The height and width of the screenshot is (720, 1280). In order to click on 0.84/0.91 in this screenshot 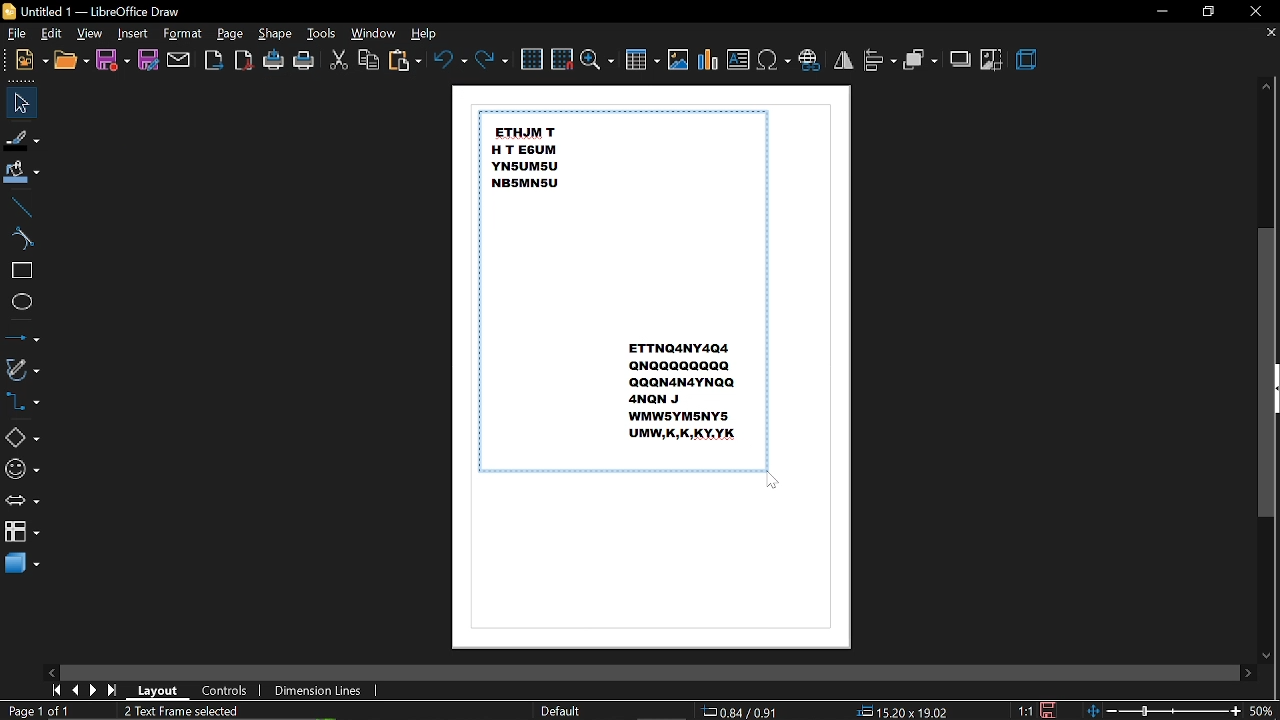, I will do `click(742, 711)`.